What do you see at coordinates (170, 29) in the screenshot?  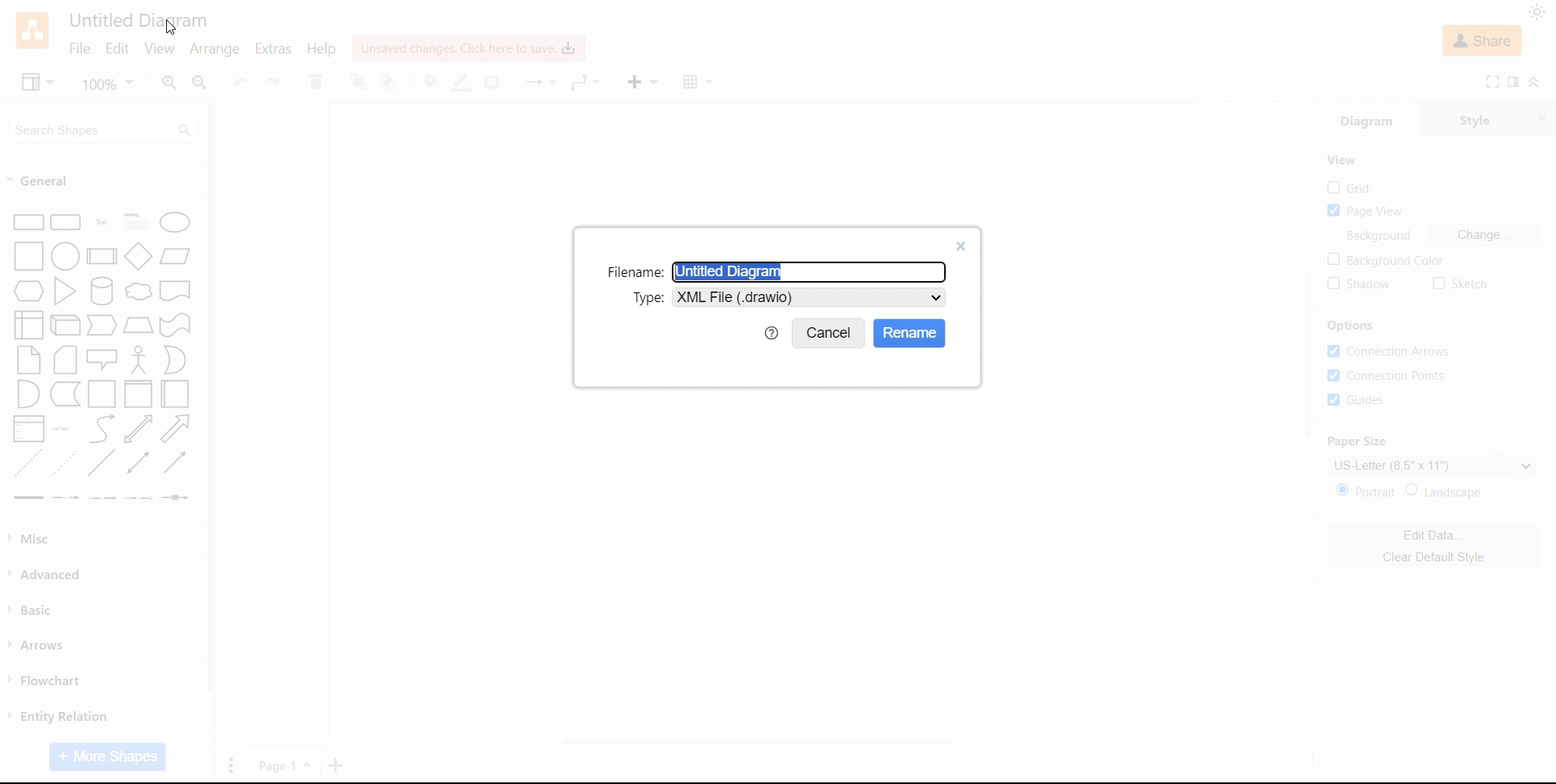 I see `Cursor ` at bounding box center [170, 29].